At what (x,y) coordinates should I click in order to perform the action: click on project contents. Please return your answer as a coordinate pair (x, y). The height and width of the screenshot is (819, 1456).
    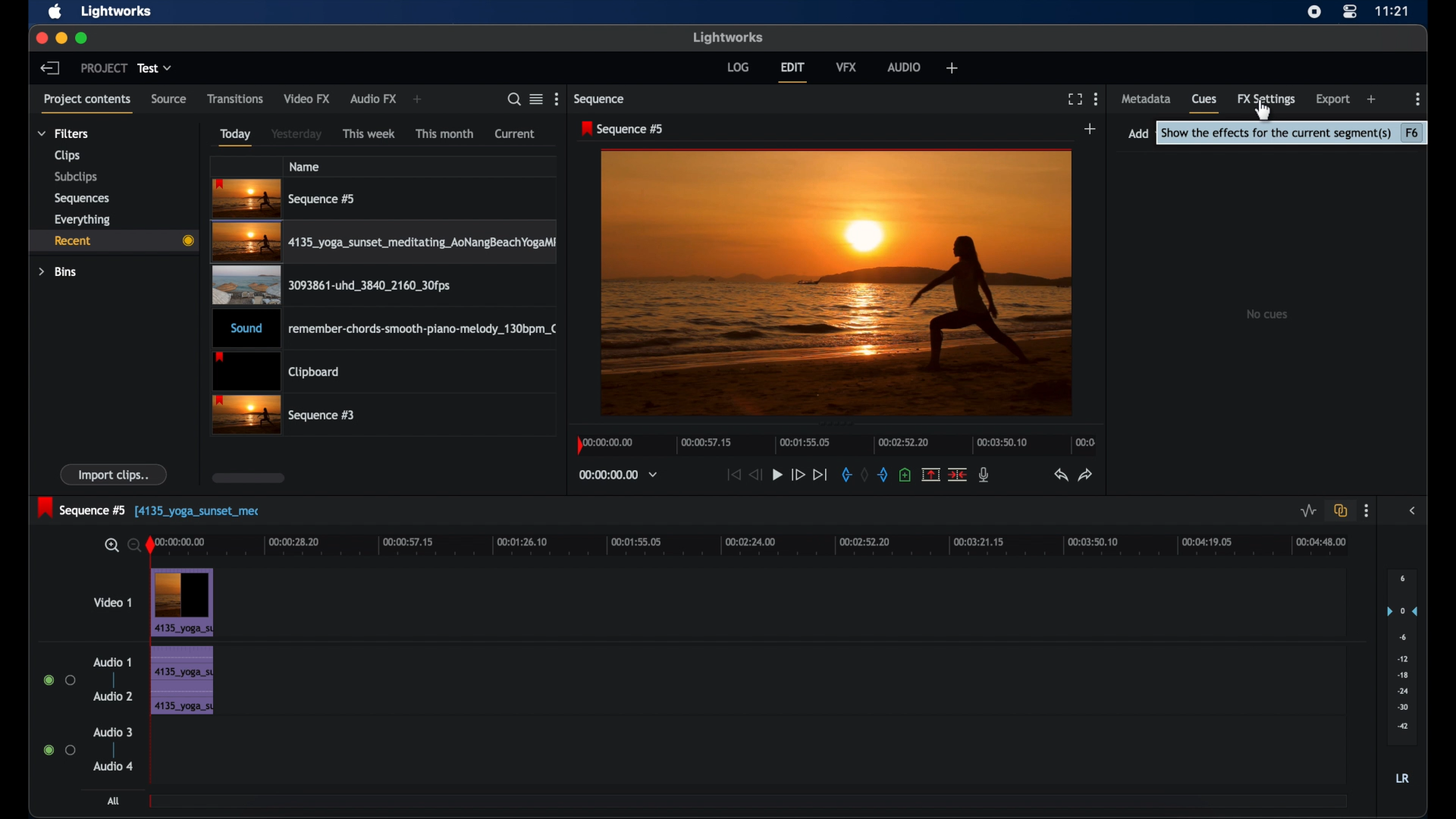
    Looking at the image, I should click on (86, 102).